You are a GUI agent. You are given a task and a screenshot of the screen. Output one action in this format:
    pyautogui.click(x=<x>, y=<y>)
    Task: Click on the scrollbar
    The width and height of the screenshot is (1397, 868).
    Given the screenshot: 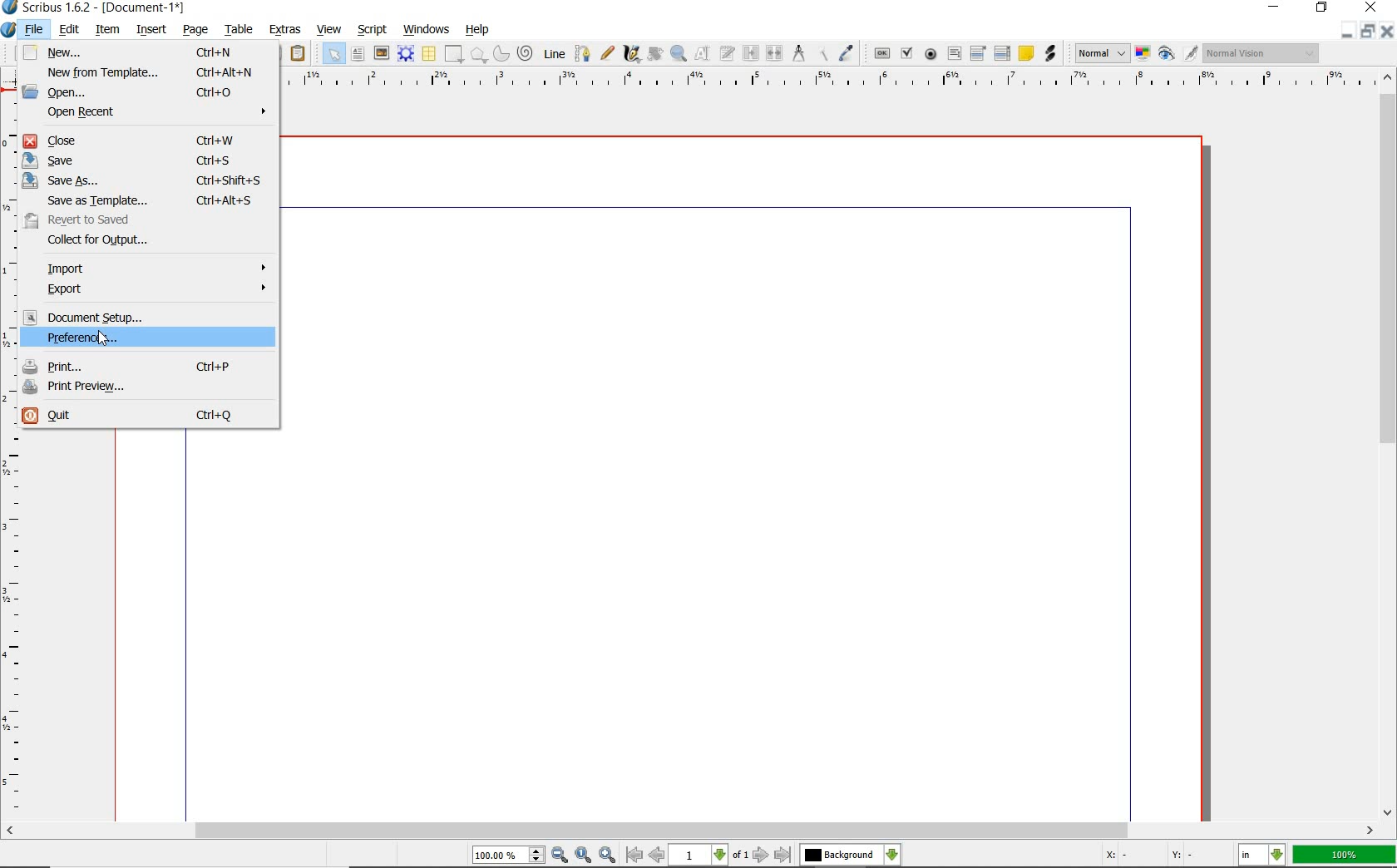 What is the action you would take?
    pyautogui.click(x=1387, y=445)
    